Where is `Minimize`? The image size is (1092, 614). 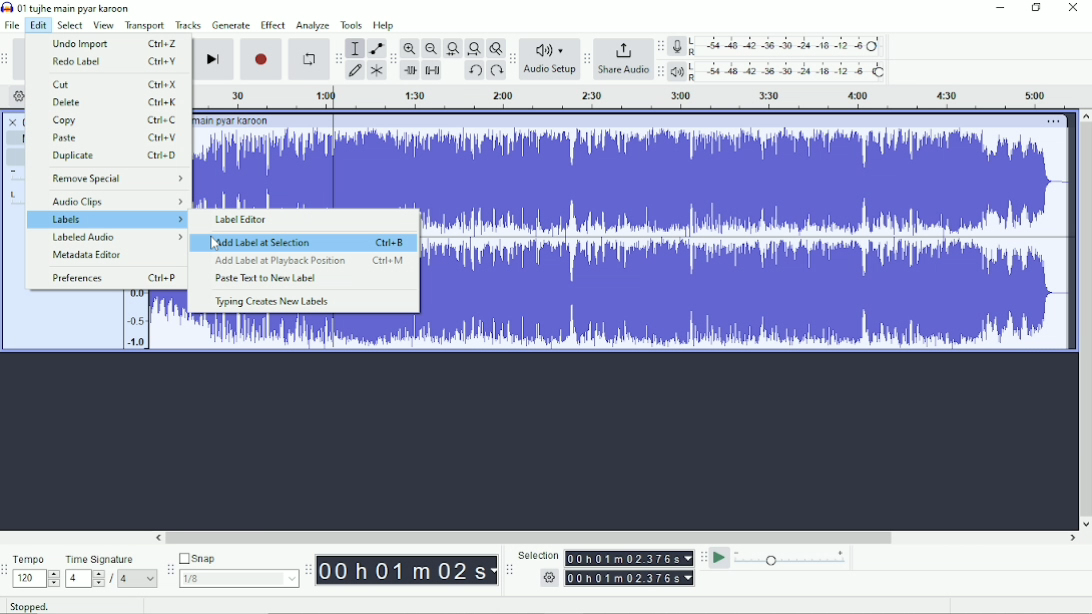 Minimize is located at coordinates (1001, 8).